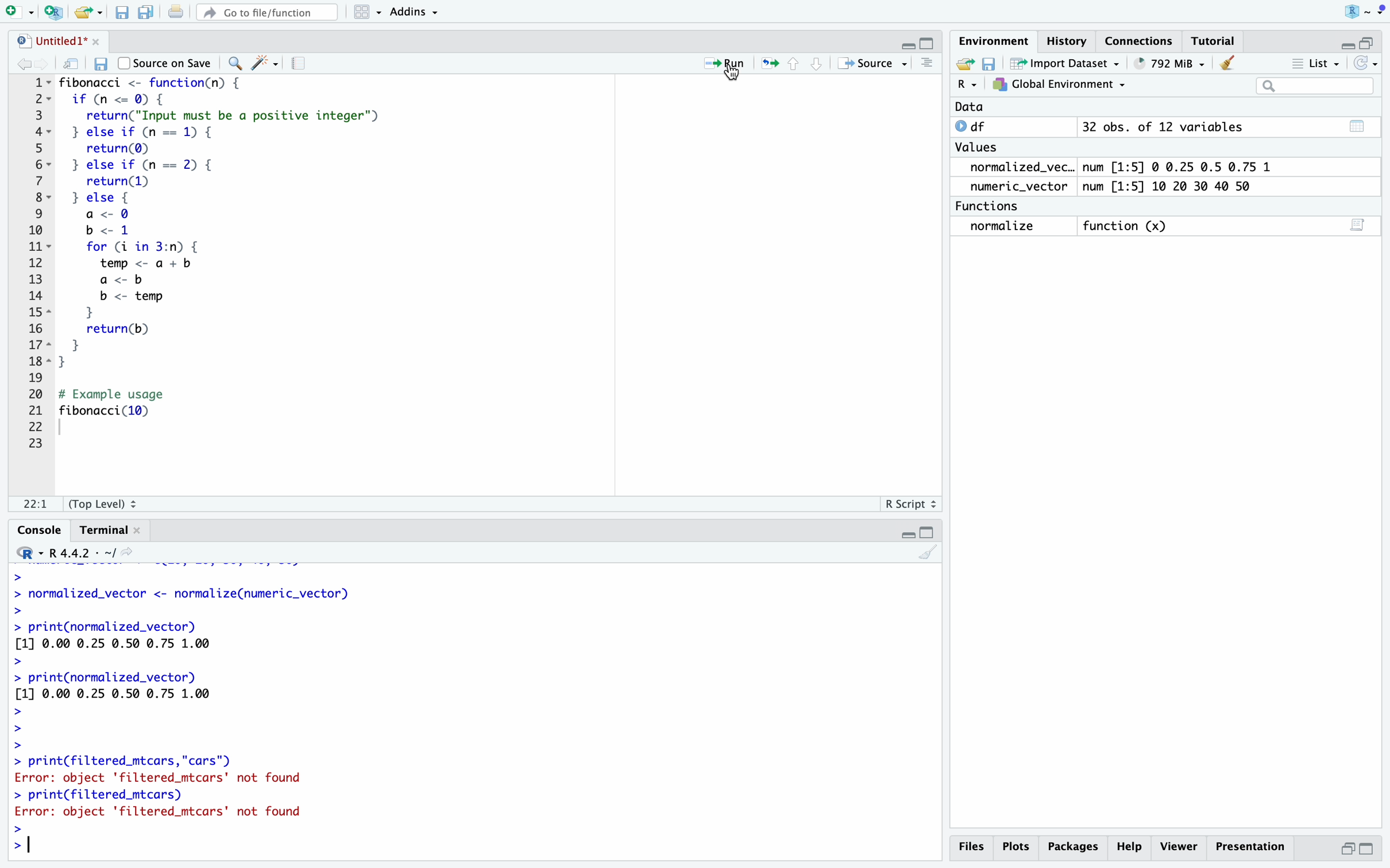 The image size is (1390, 868). I want to click on save current document, so click(122, 13).